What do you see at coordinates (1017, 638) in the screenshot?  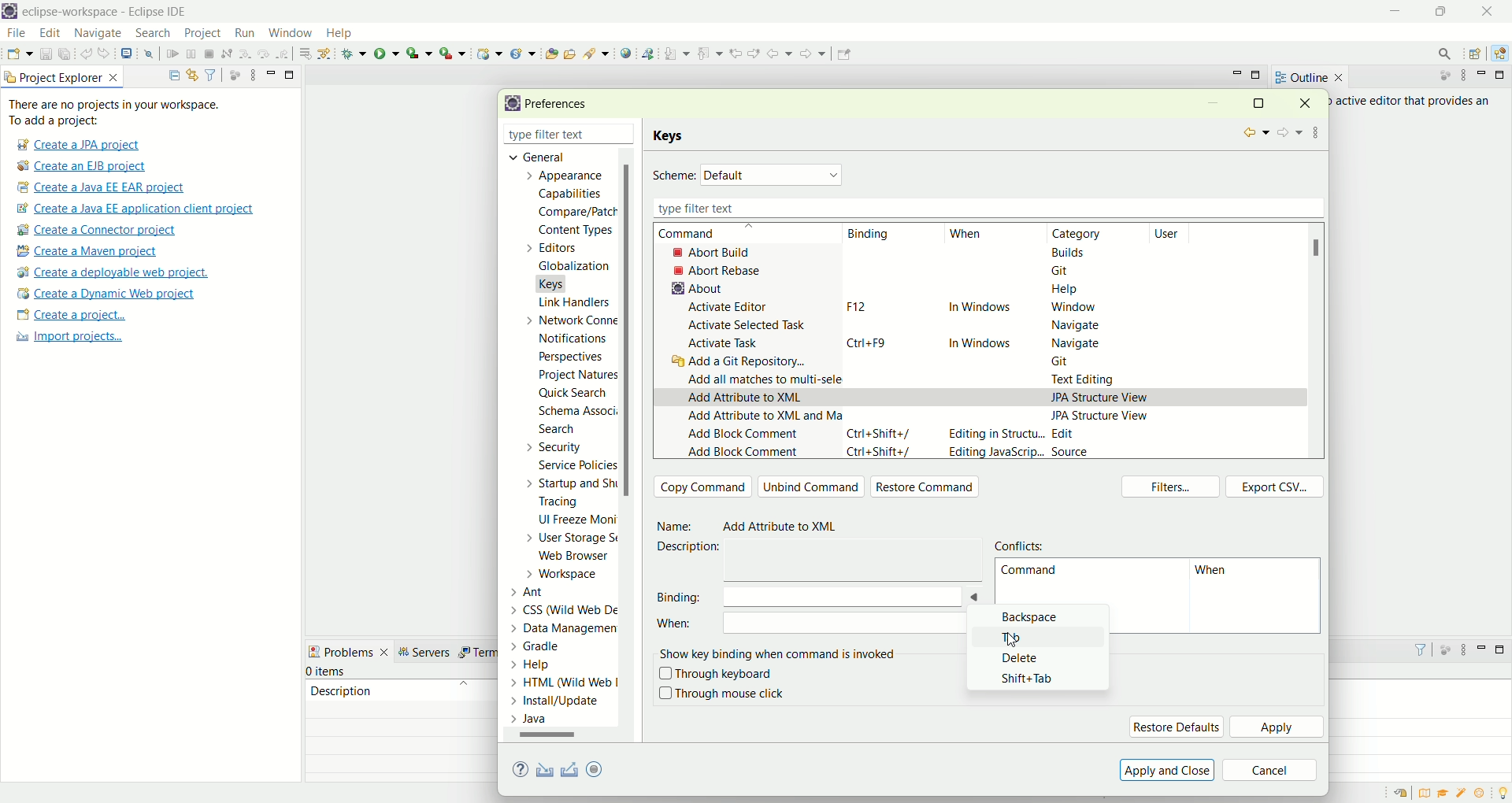 I see `tab` at bounding box center [1017, 638].